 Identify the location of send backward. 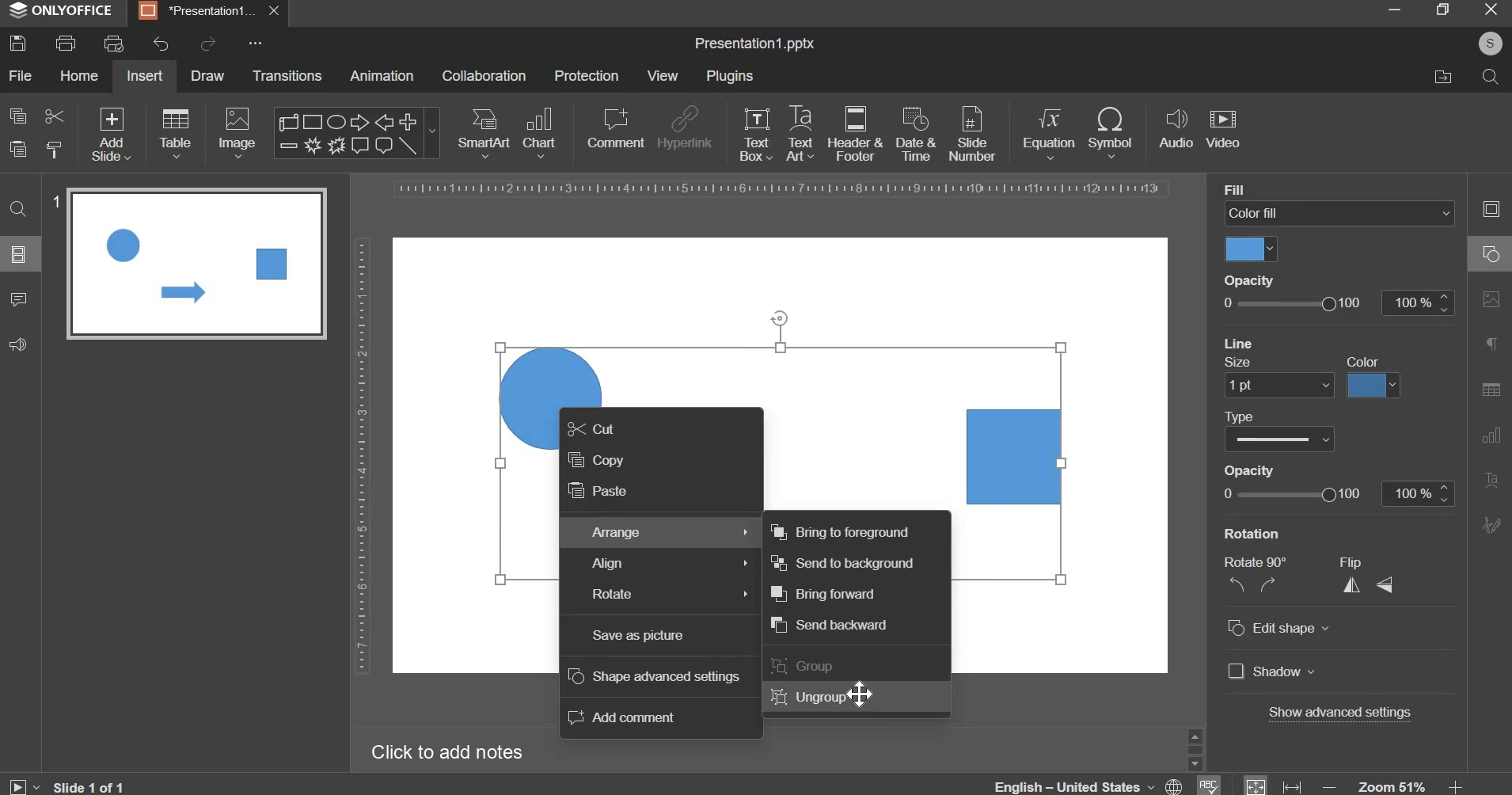
(828, 625).